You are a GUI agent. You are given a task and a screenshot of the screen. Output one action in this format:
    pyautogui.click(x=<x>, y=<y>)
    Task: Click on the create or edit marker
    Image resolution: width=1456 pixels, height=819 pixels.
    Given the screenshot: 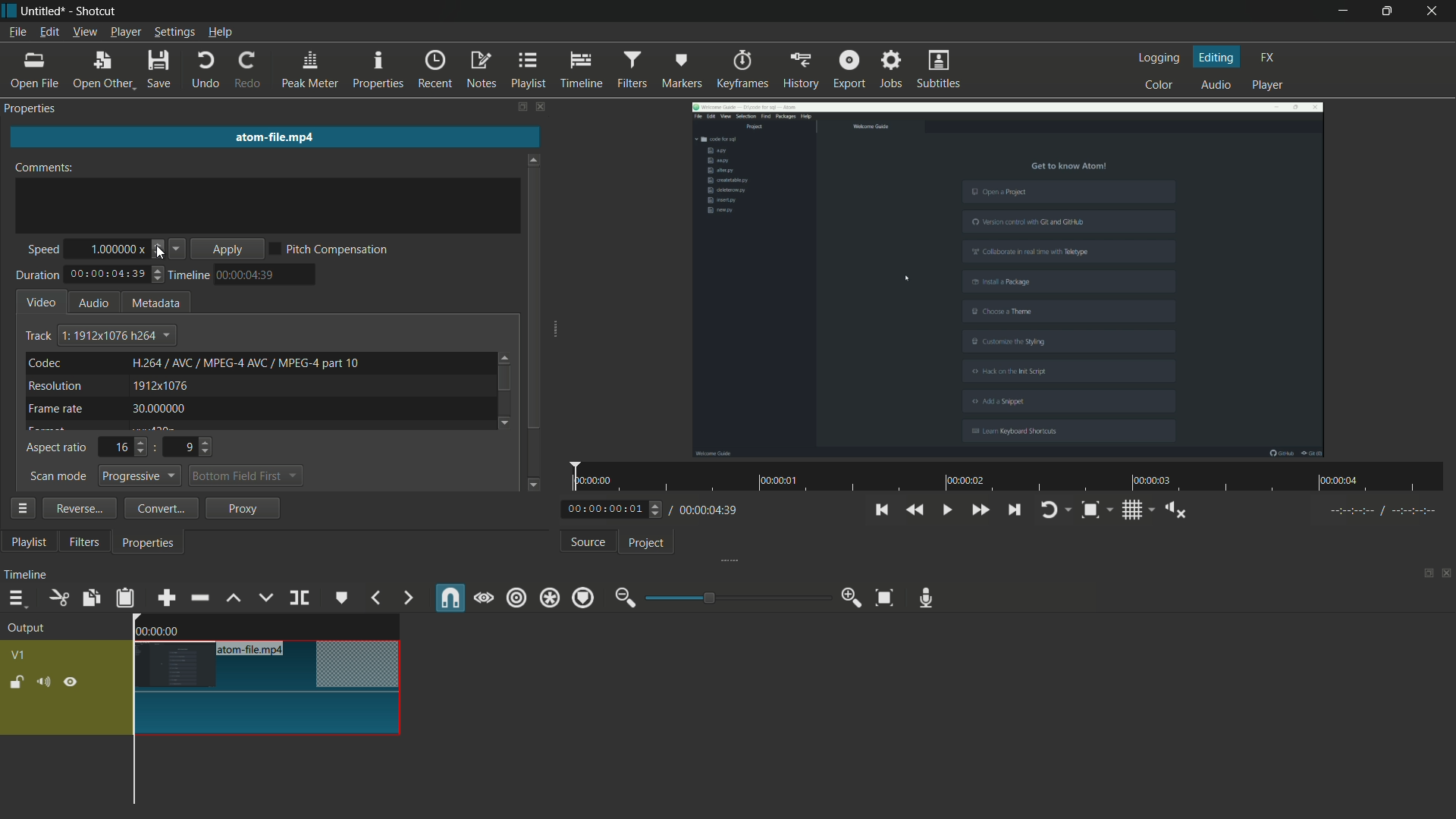 What is the action you would take?
    pyautogui.click(x=342, y=598)
    